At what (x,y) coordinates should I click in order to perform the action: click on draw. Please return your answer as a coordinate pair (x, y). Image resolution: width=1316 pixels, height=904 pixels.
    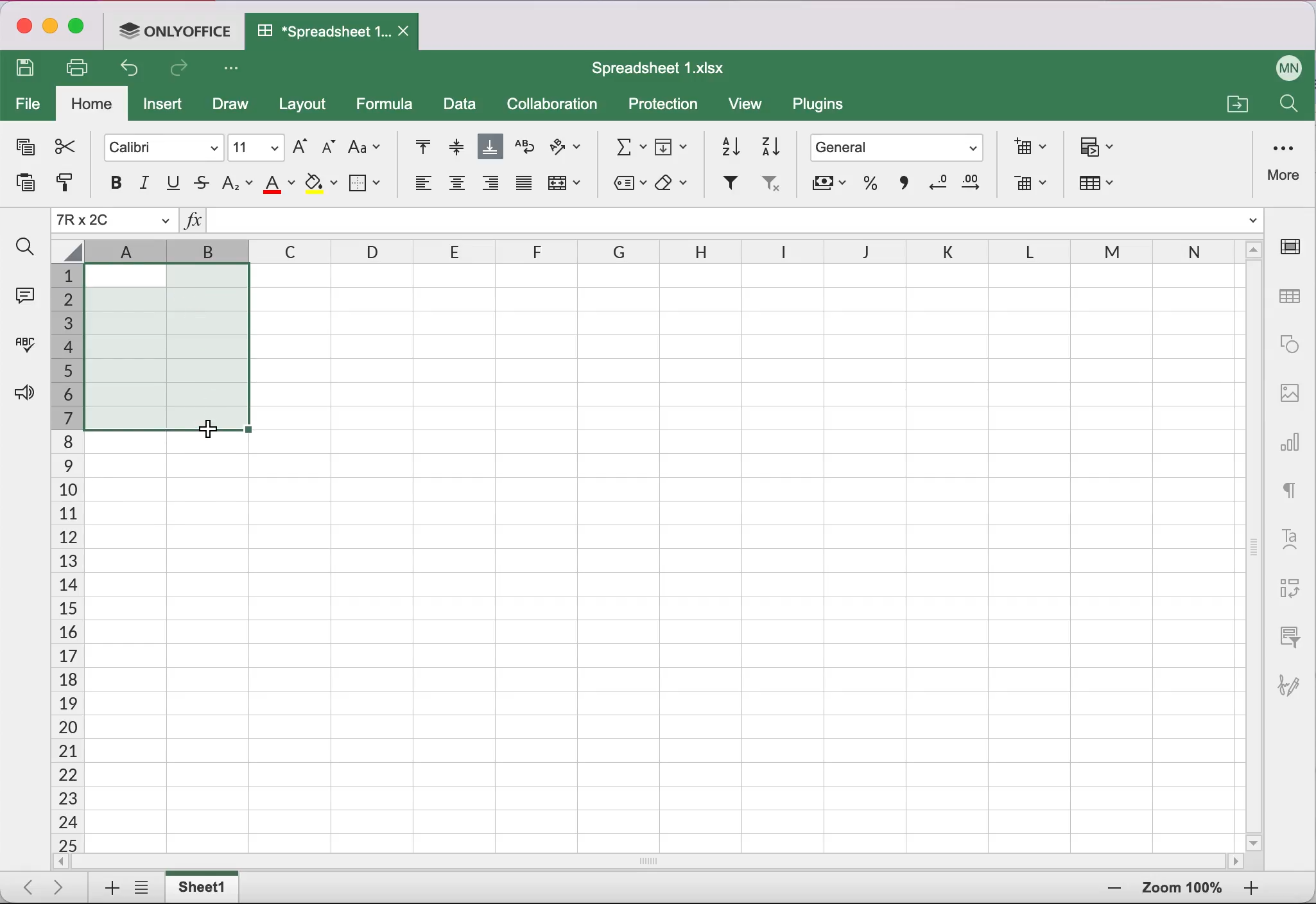
    Looking at the image, I should click on (229, 106).